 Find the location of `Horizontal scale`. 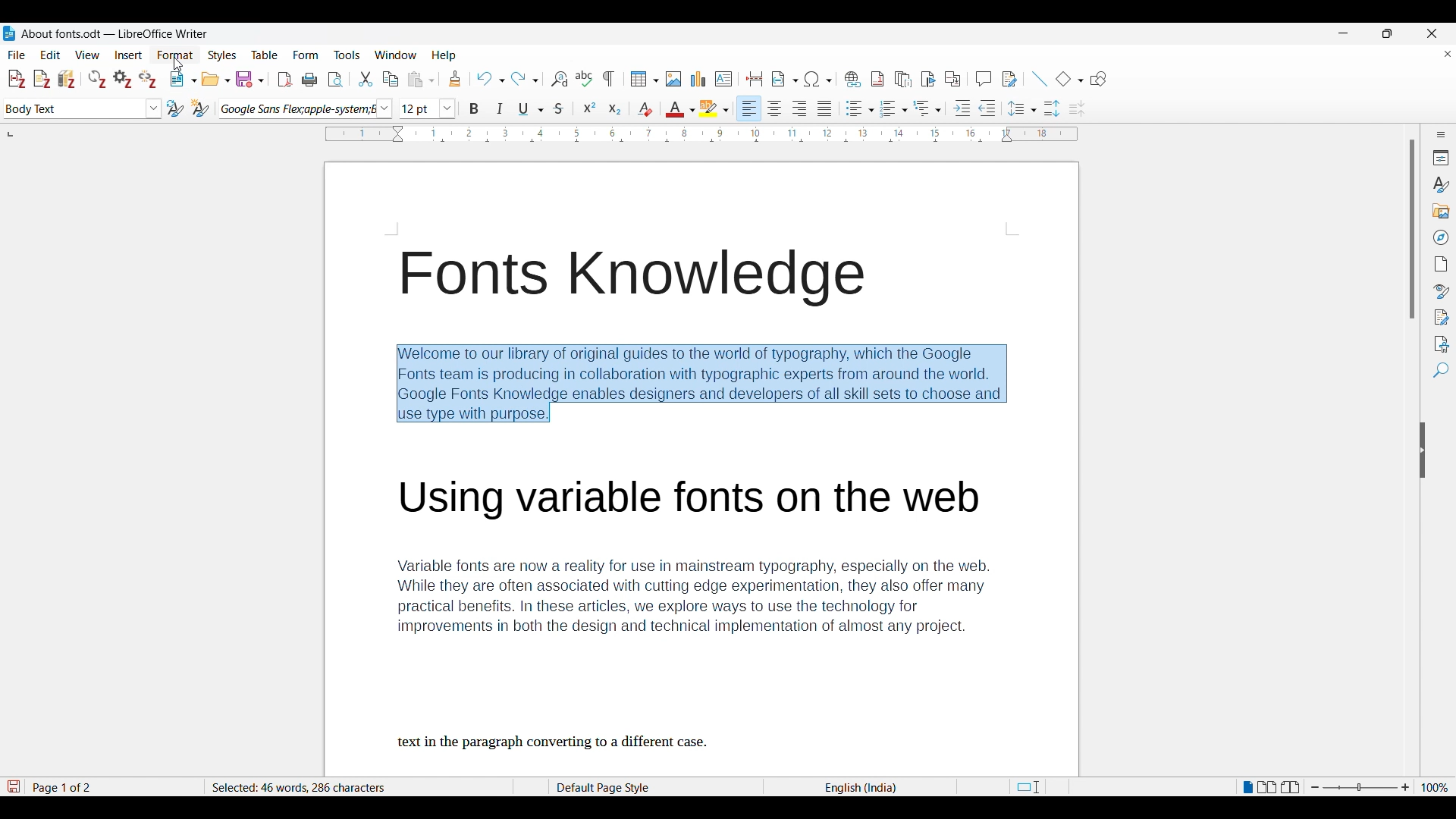

Horizontal scale is located at coordinates (702, 135).